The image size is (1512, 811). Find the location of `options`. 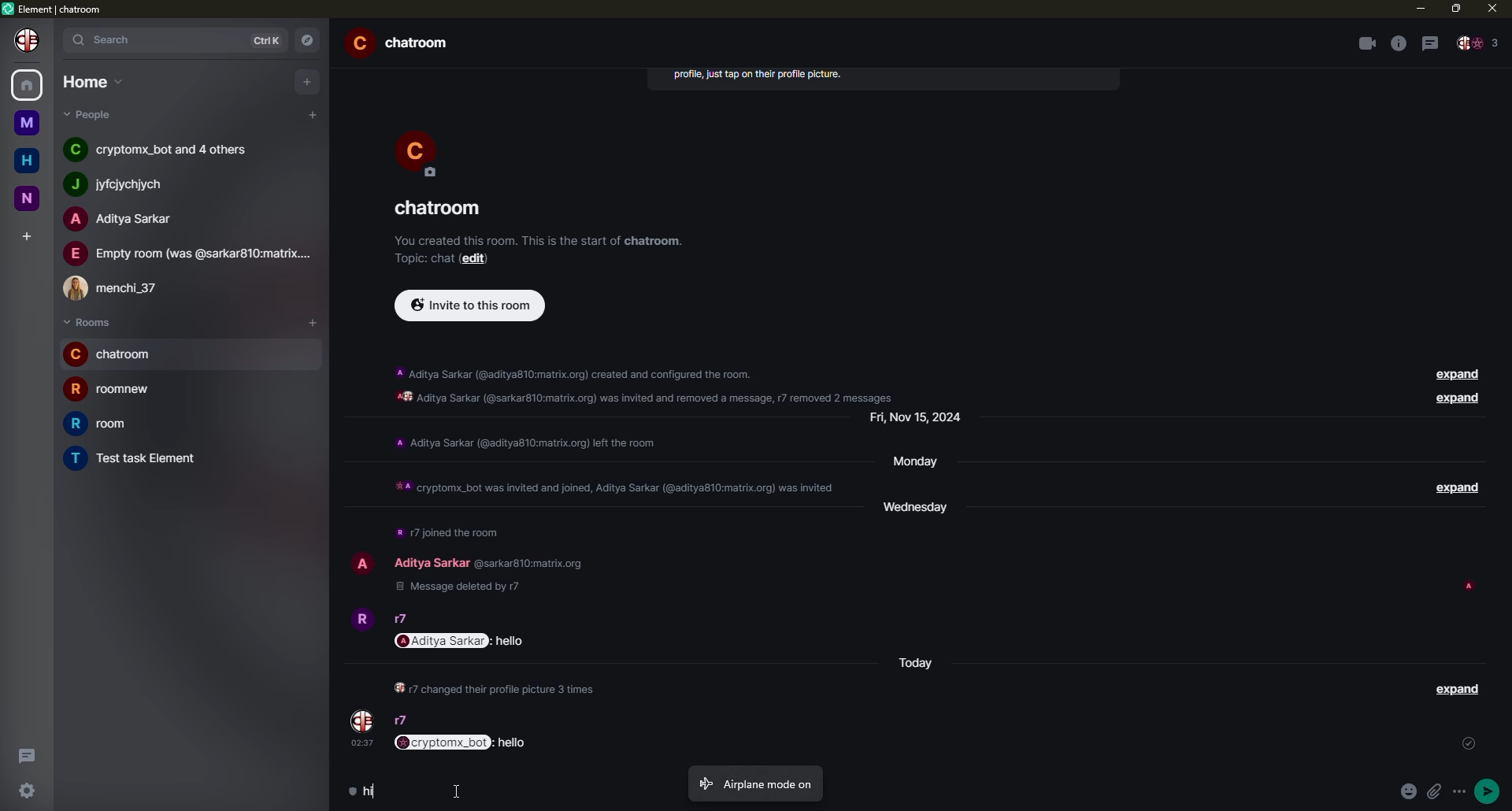

options is located at coordinates (1459, 791).